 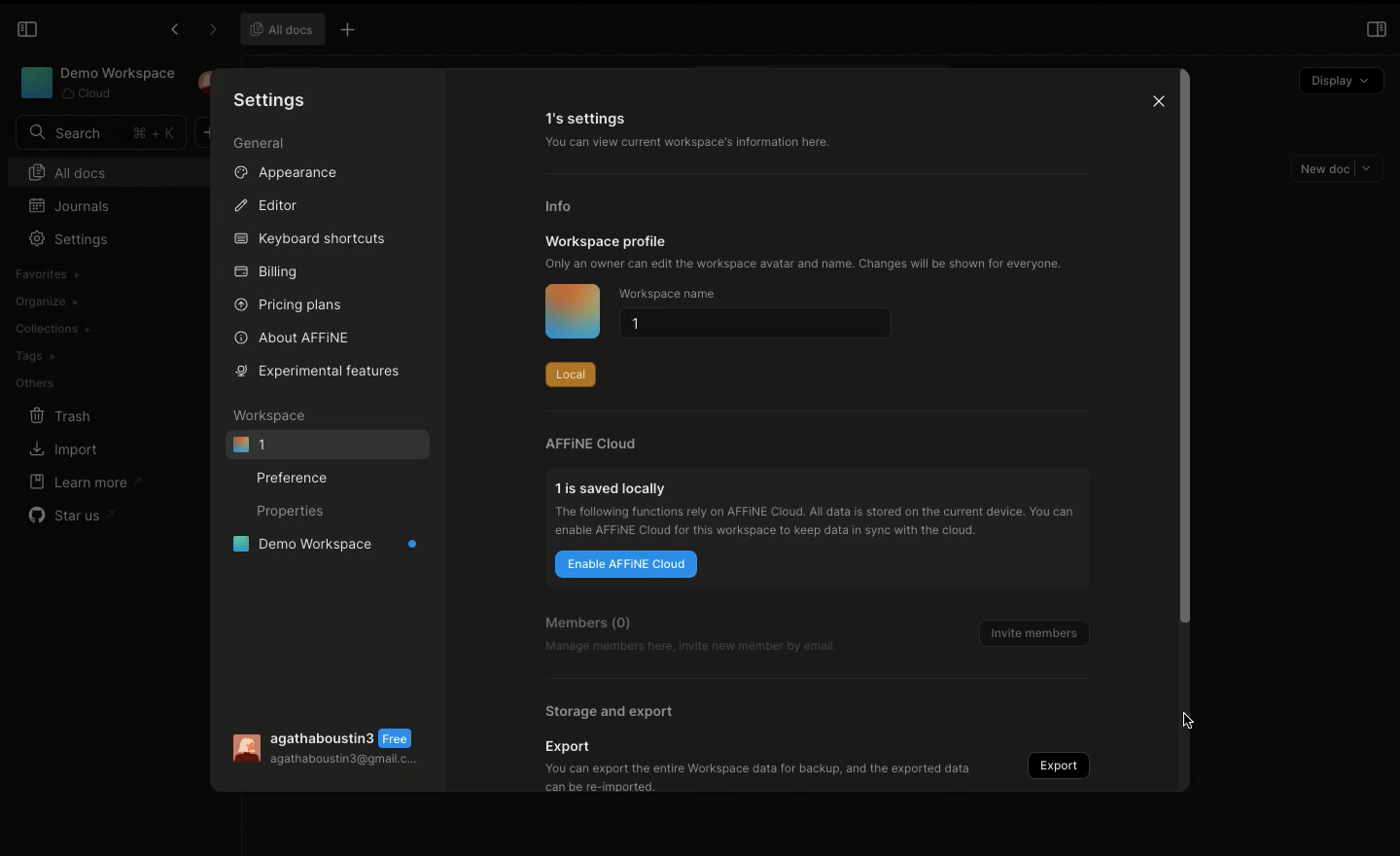 I want to click on Editor, so click(x=268, y=206).